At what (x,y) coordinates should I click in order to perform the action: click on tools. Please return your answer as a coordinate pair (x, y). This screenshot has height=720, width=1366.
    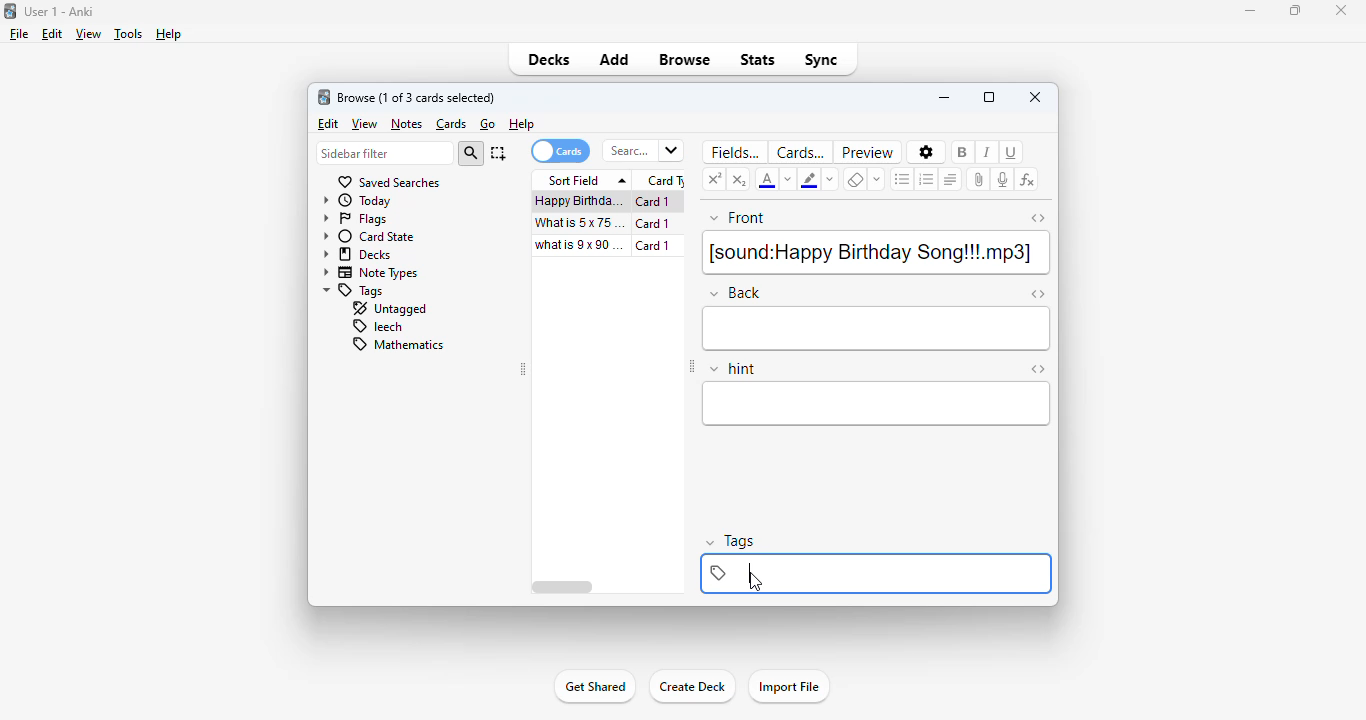
    Looking at the image, I should click on (128, 35).